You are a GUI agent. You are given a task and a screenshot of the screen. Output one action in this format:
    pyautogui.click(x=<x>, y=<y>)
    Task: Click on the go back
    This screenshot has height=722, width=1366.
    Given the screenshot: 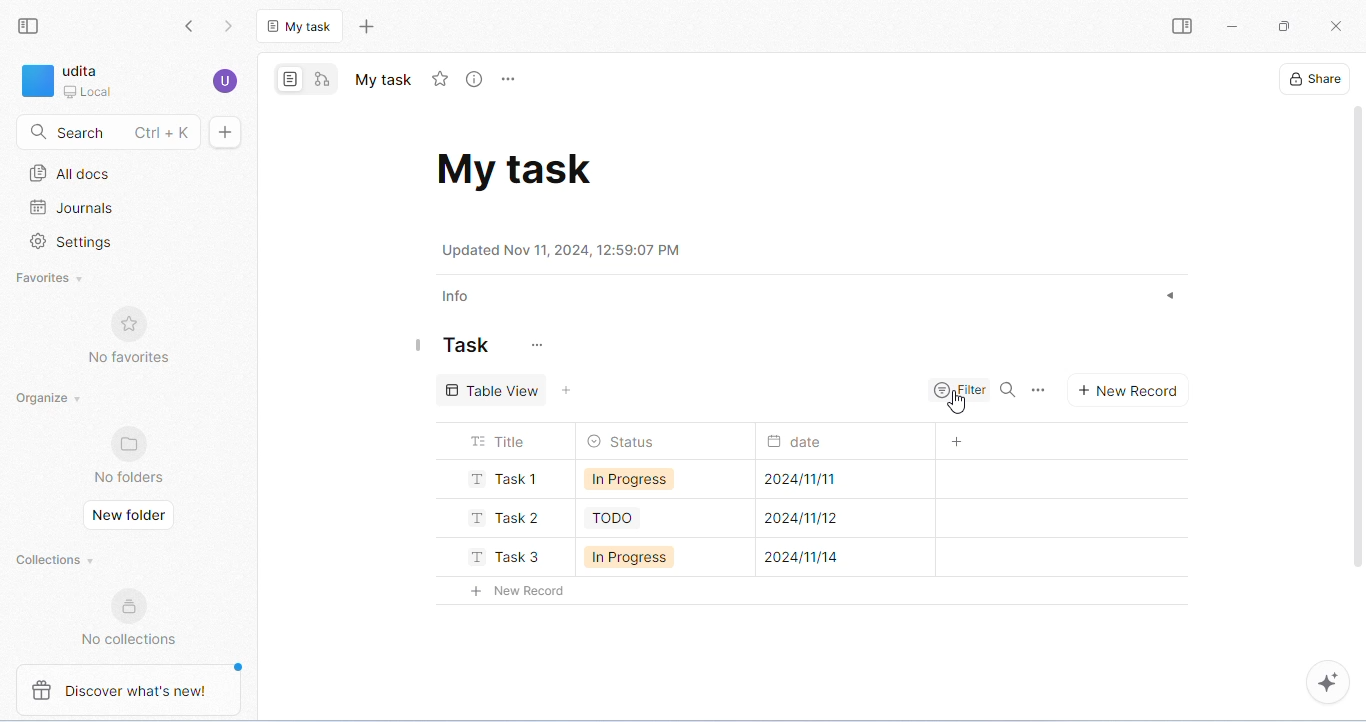 What is the action you would take?
    pyautogui.click(x=190, y=27)
    